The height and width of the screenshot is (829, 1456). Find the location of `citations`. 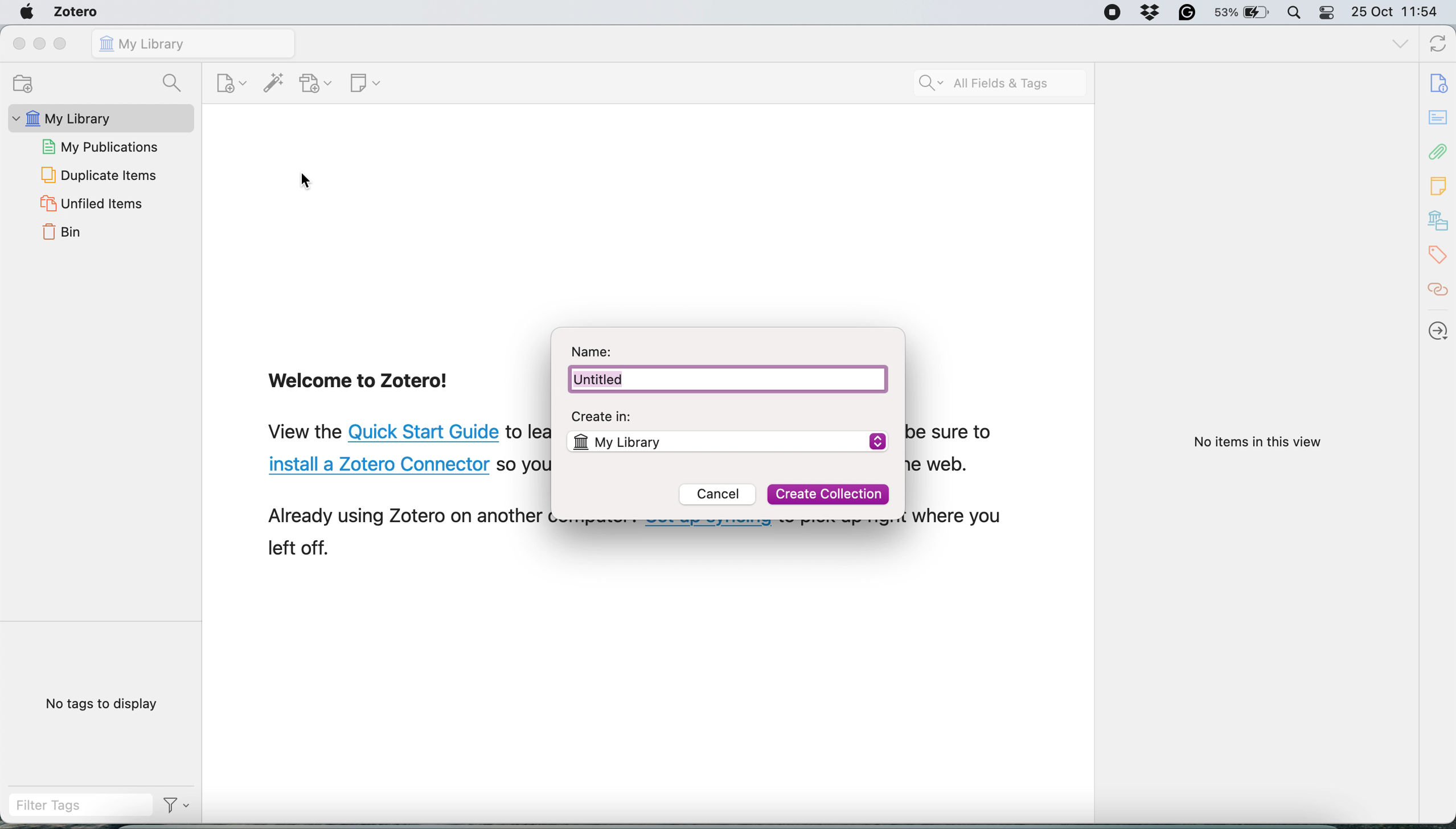

citations is located at coordinates (1439, 290).